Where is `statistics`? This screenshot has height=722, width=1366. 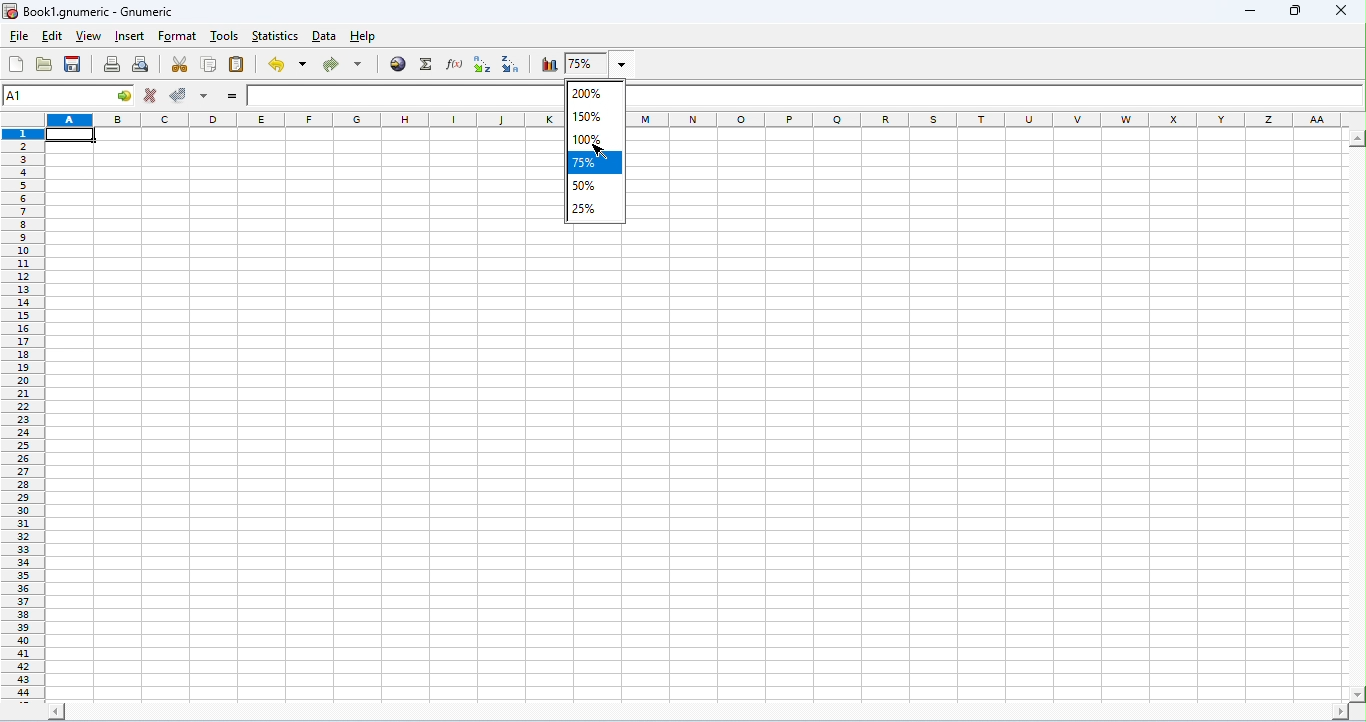 statistics is located at coordinates (275, 36).